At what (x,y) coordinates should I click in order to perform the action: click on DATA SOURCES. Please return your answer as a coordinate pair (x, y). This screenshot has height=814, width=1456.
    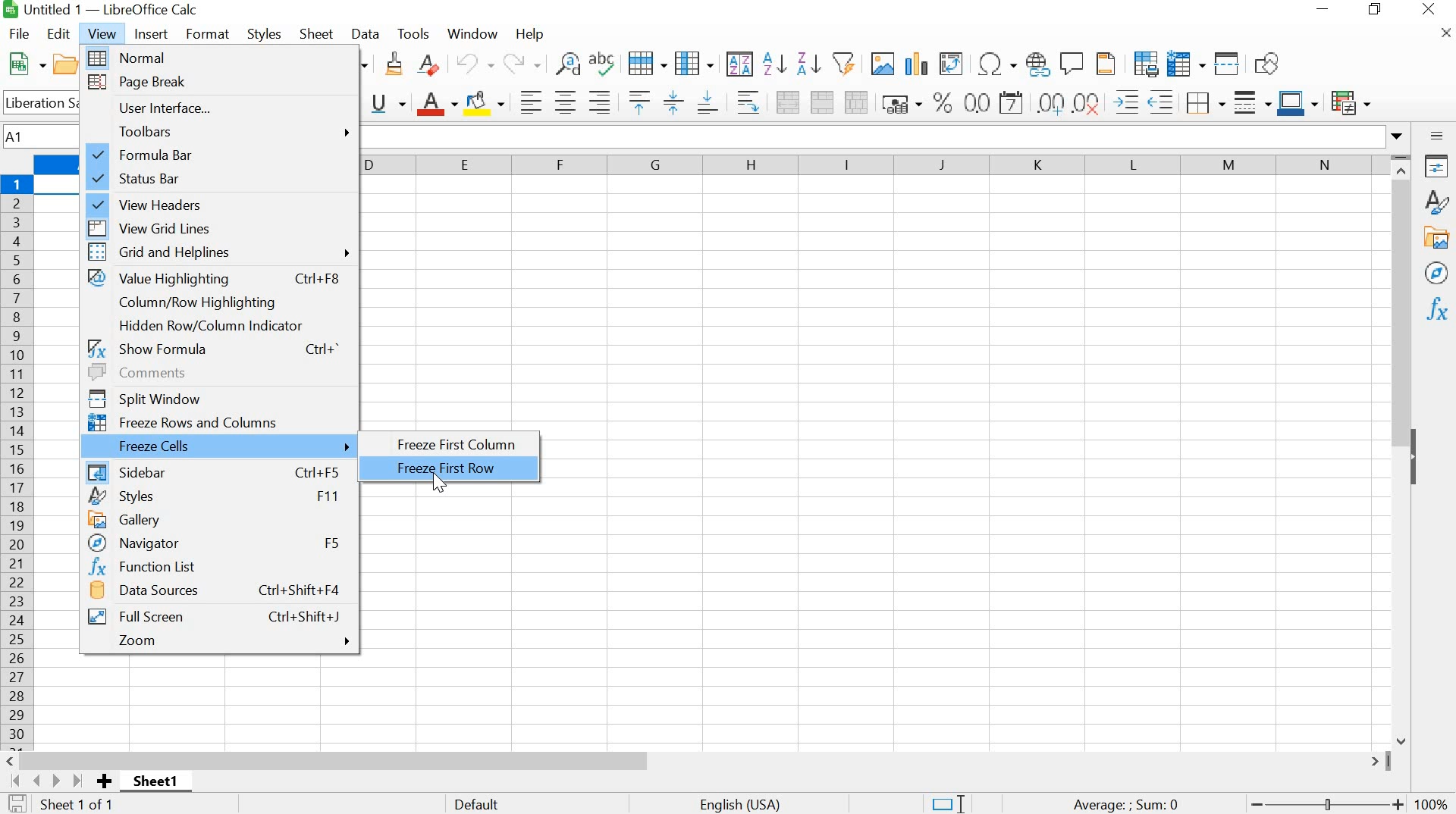
    Looking at the image, I should click on (218, 593).